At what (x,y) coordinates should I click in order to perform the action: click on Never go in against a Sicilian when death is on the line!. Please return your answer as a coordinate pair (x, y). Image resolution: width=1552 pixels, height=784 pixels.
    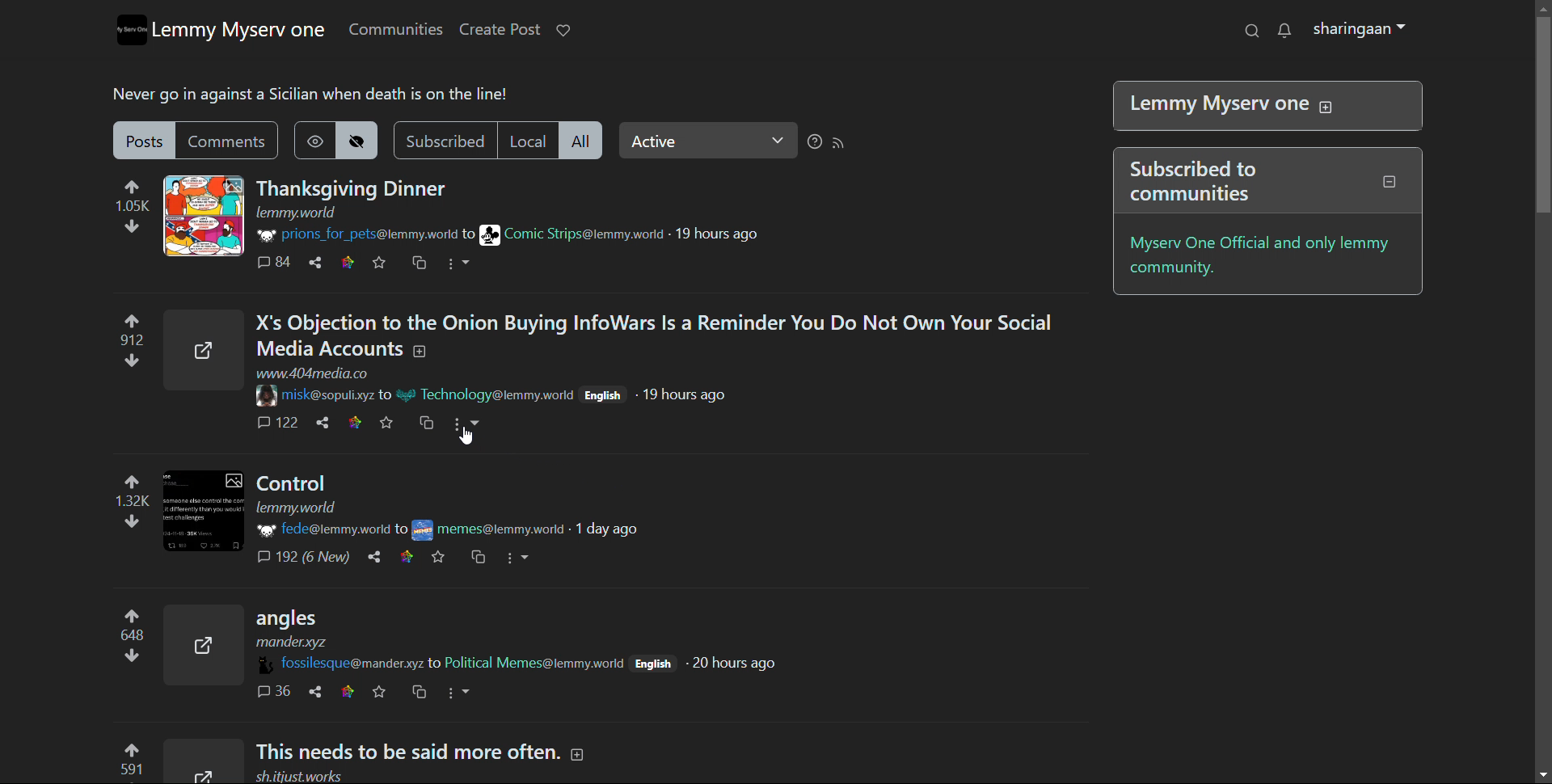
    Looking at the image, I should click on (315, 96).